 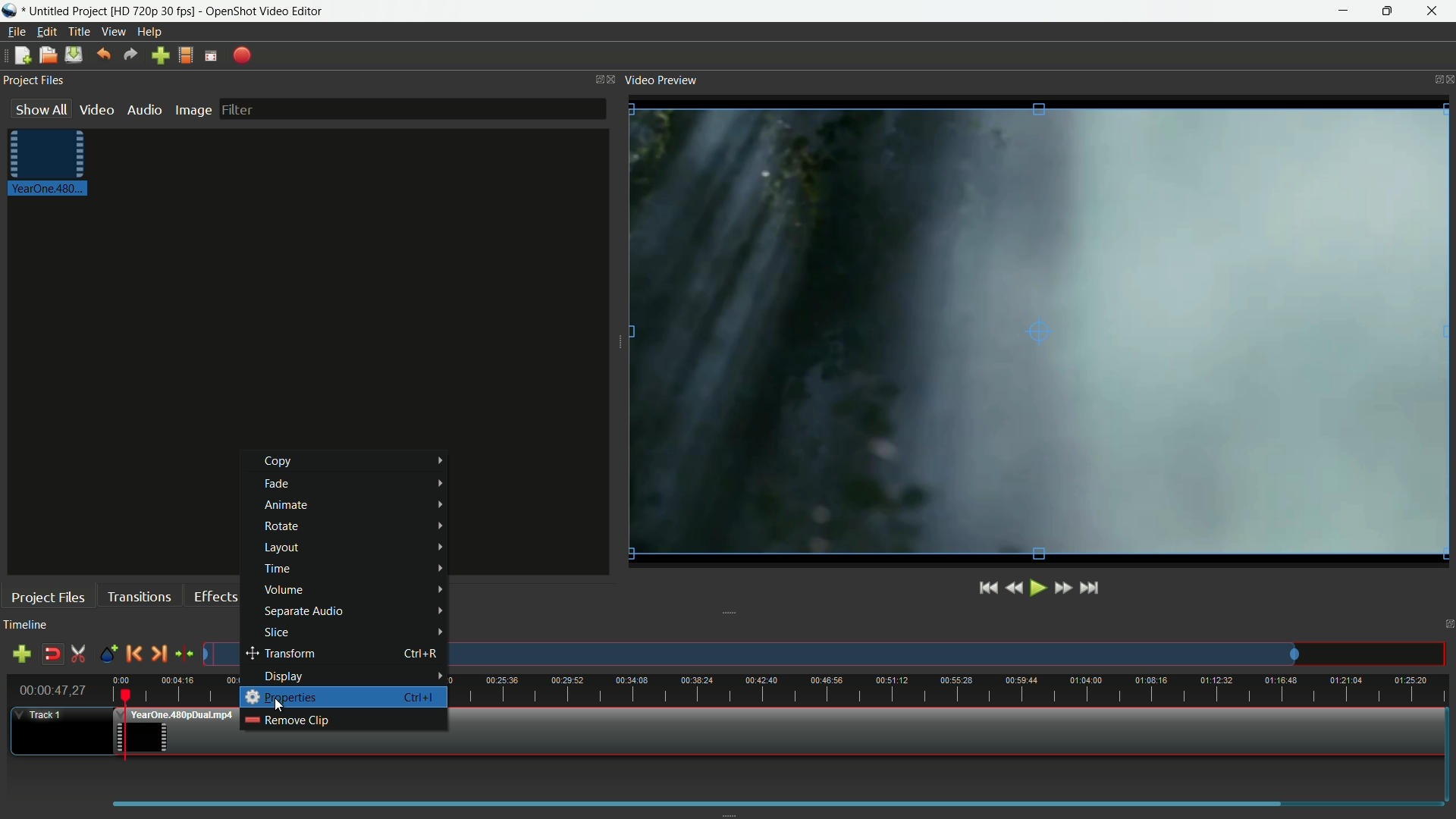 I want to click on import file, so click(x=158, y=56).